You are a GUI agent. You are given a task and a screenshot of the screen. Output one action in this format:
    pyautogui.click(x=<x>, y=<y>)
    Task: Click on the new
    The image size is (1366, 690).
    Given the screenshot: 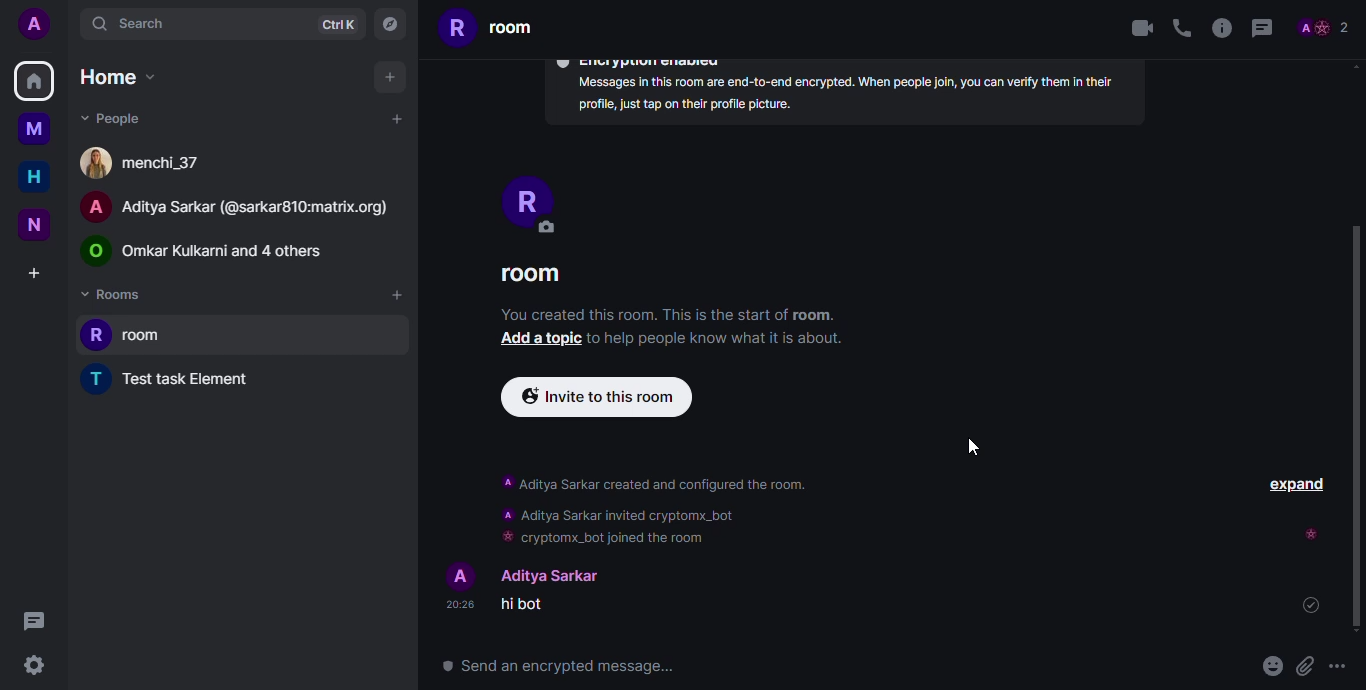 What is the action you would take?
    pyautogui.click(x=35, y=223)
    